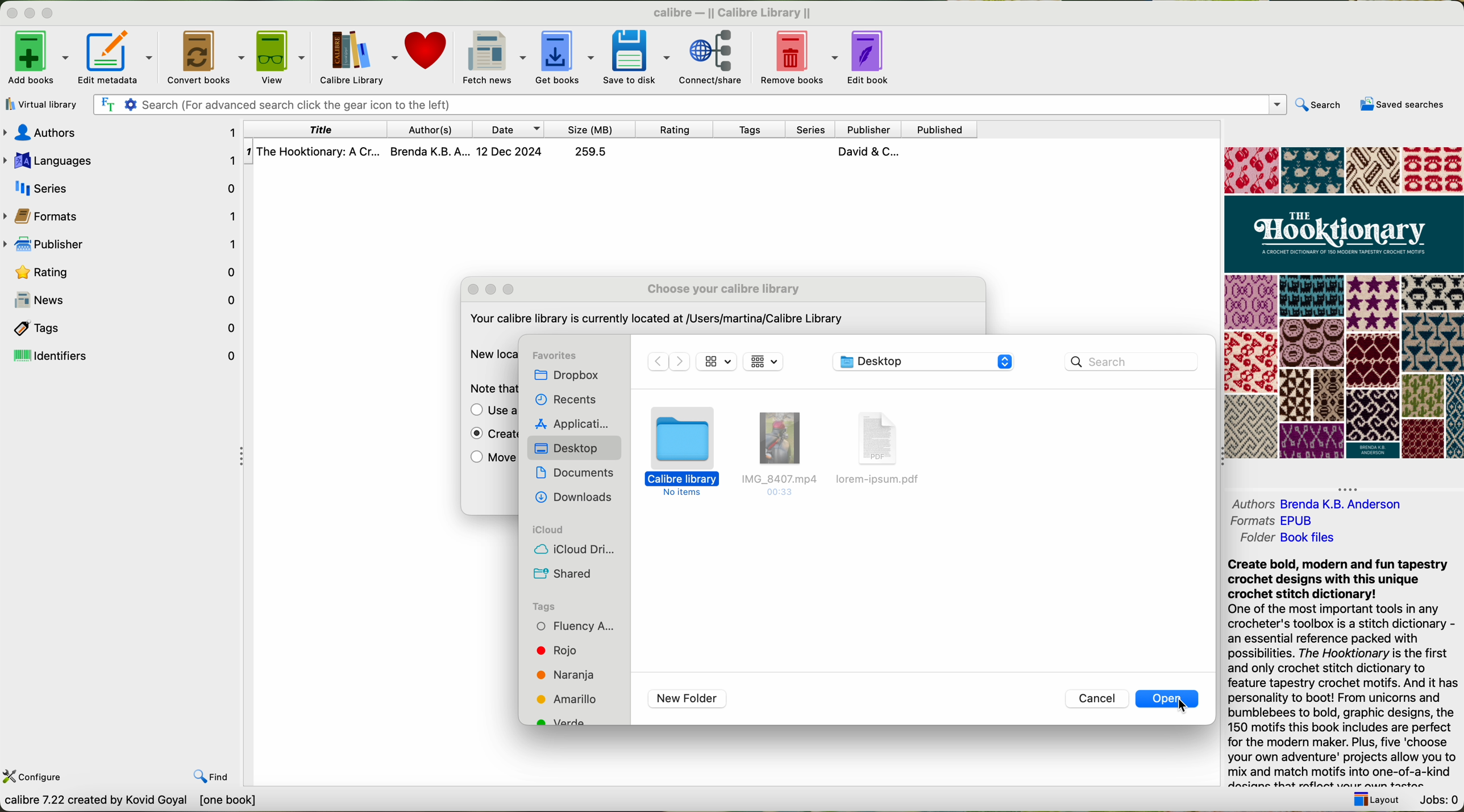  What do you see at coordinates (121, 357) in the screenshot?
I see `identifiers` at bounding box center [121, 357].